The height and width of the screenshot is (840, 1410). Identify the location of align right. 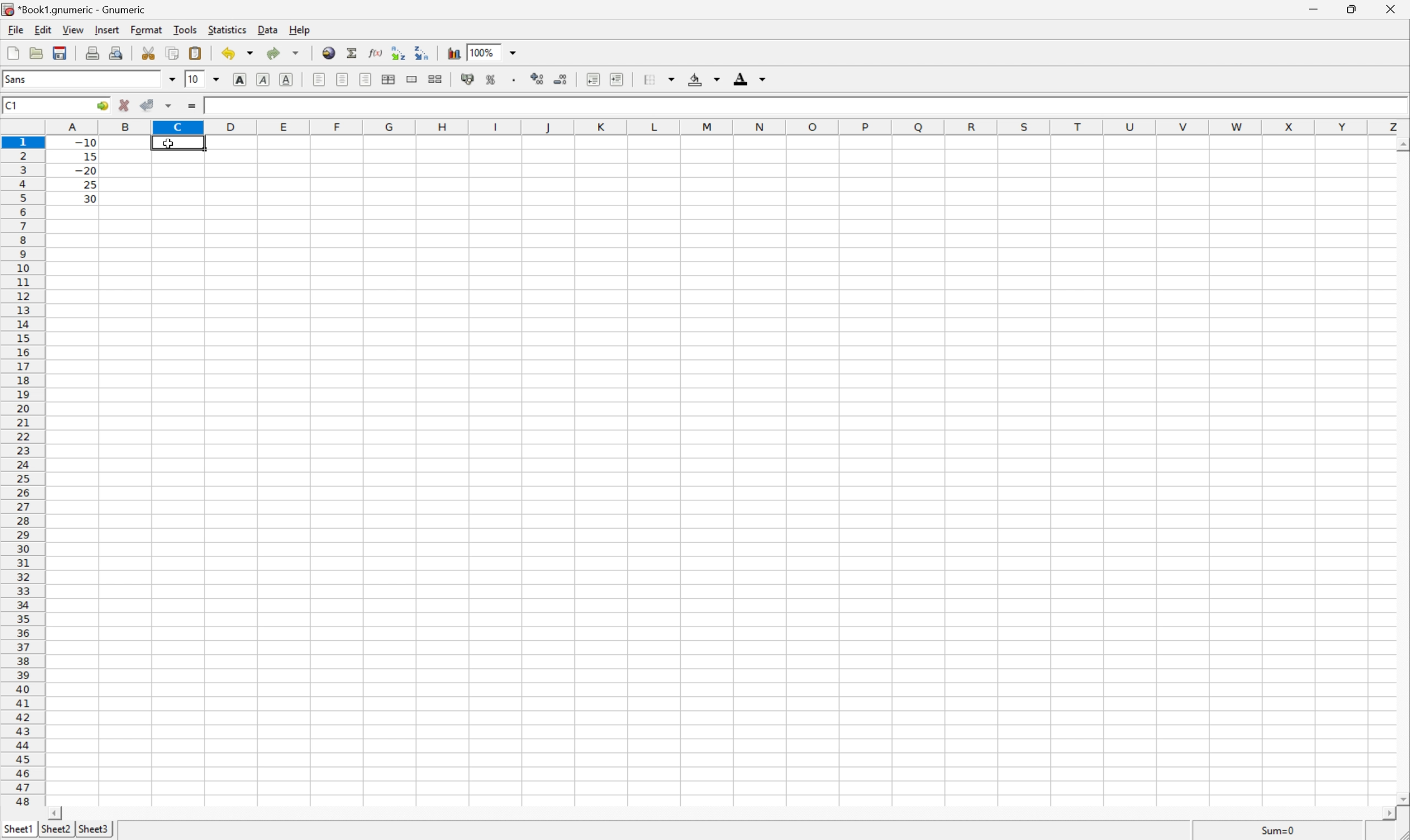
(366, 81).